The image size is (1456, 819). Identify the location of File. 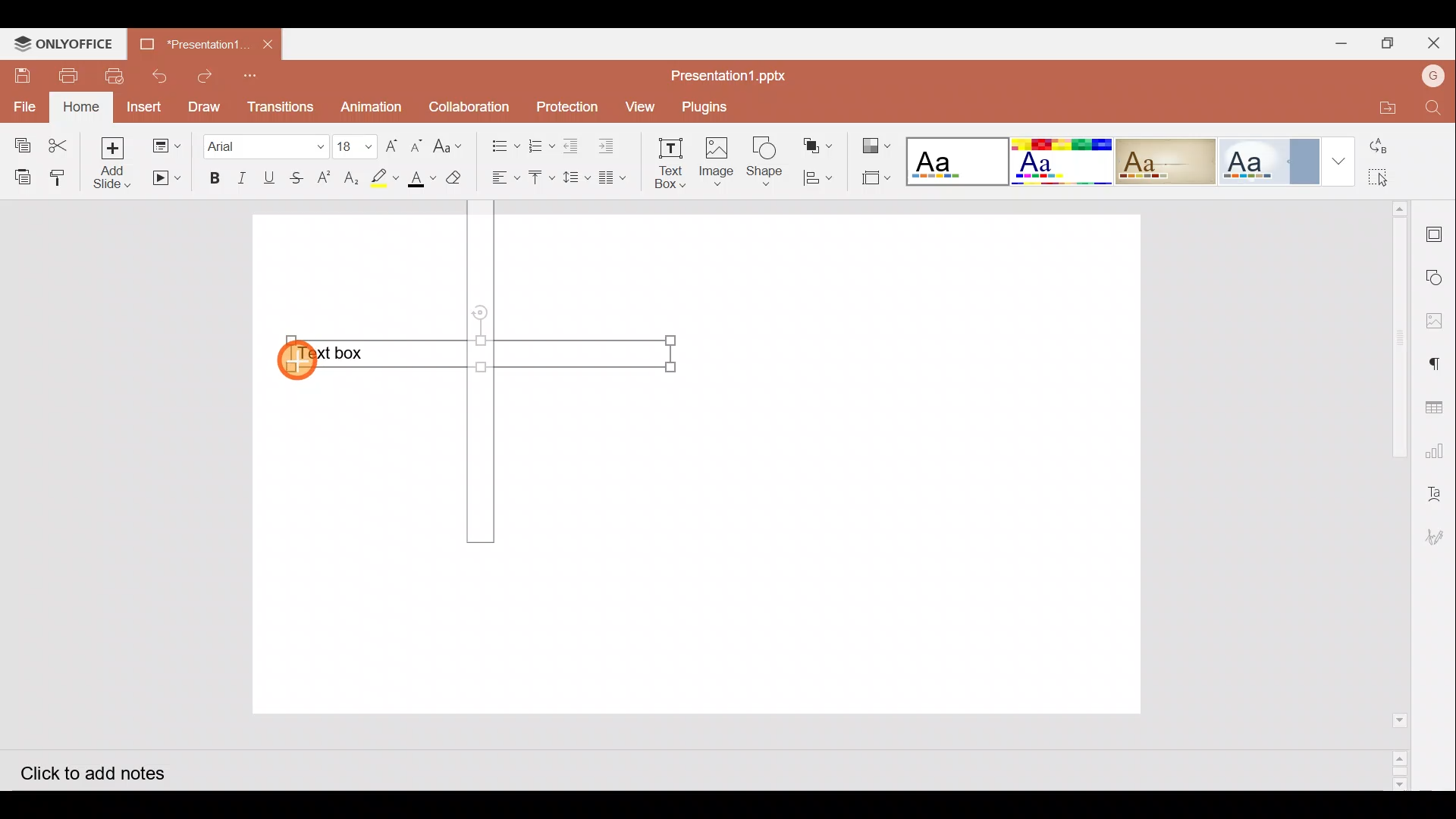
(26, 105).